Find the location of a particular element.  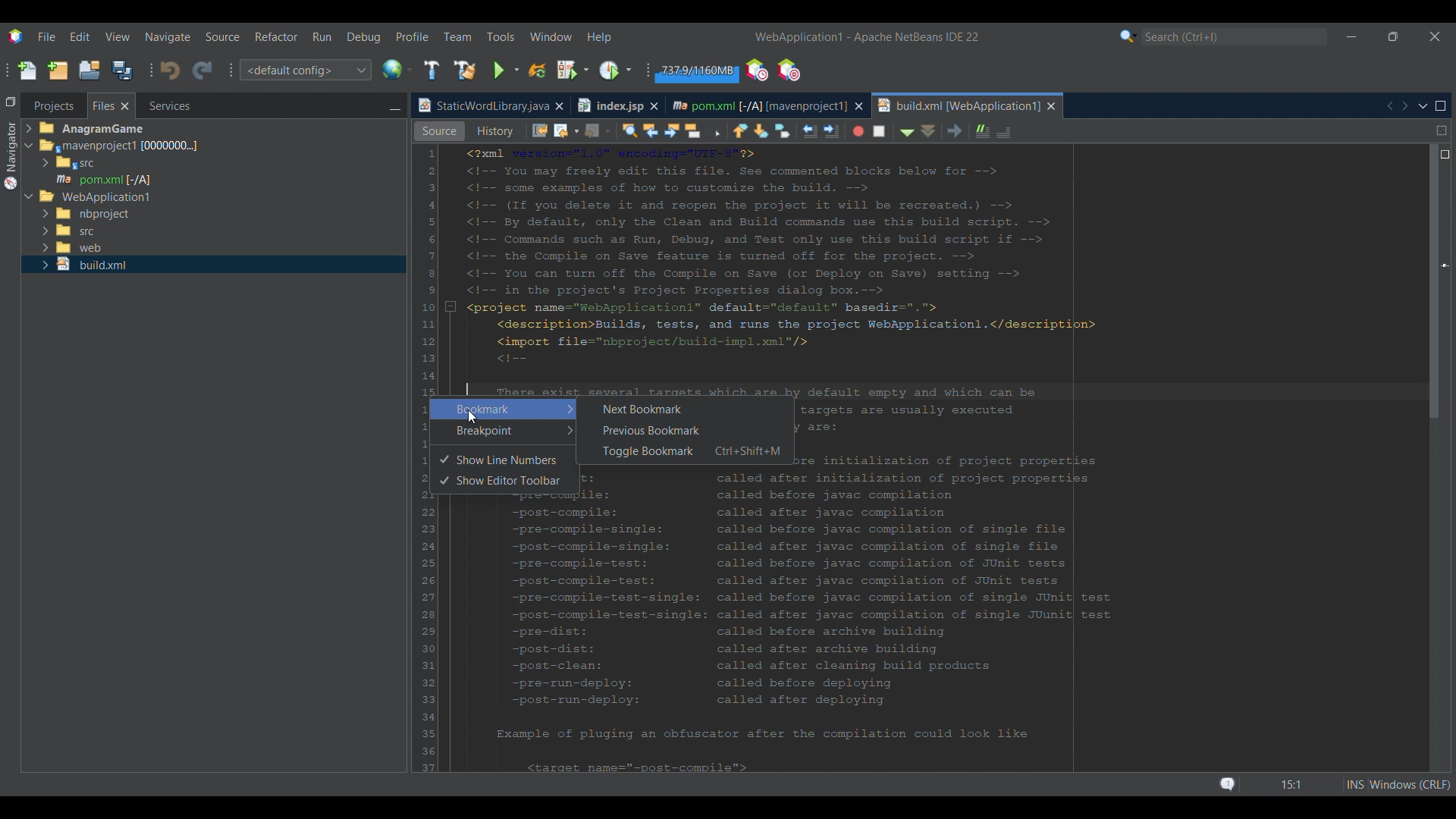

Run main project options is located at coordinates (507, 71).